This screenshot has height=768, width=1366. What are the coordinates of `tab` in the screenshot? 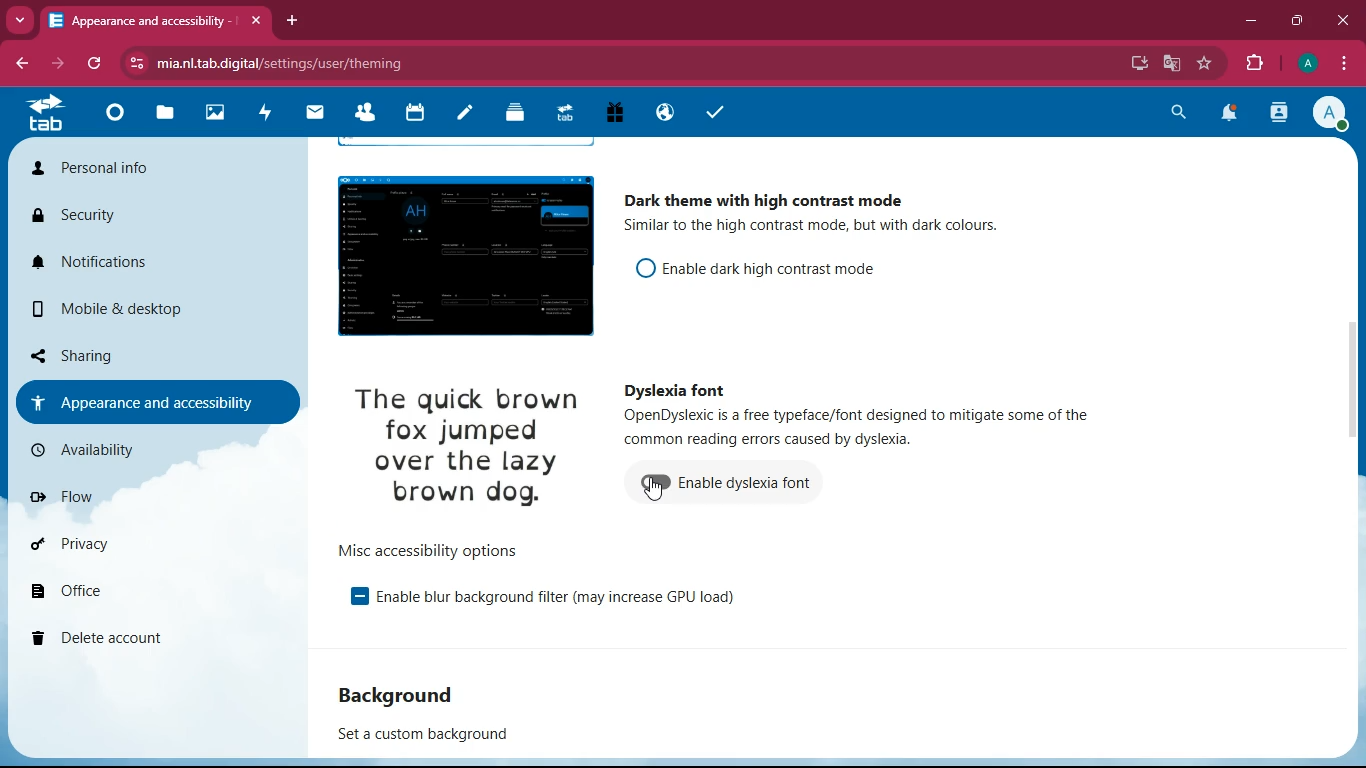 It's located at (563, 112).